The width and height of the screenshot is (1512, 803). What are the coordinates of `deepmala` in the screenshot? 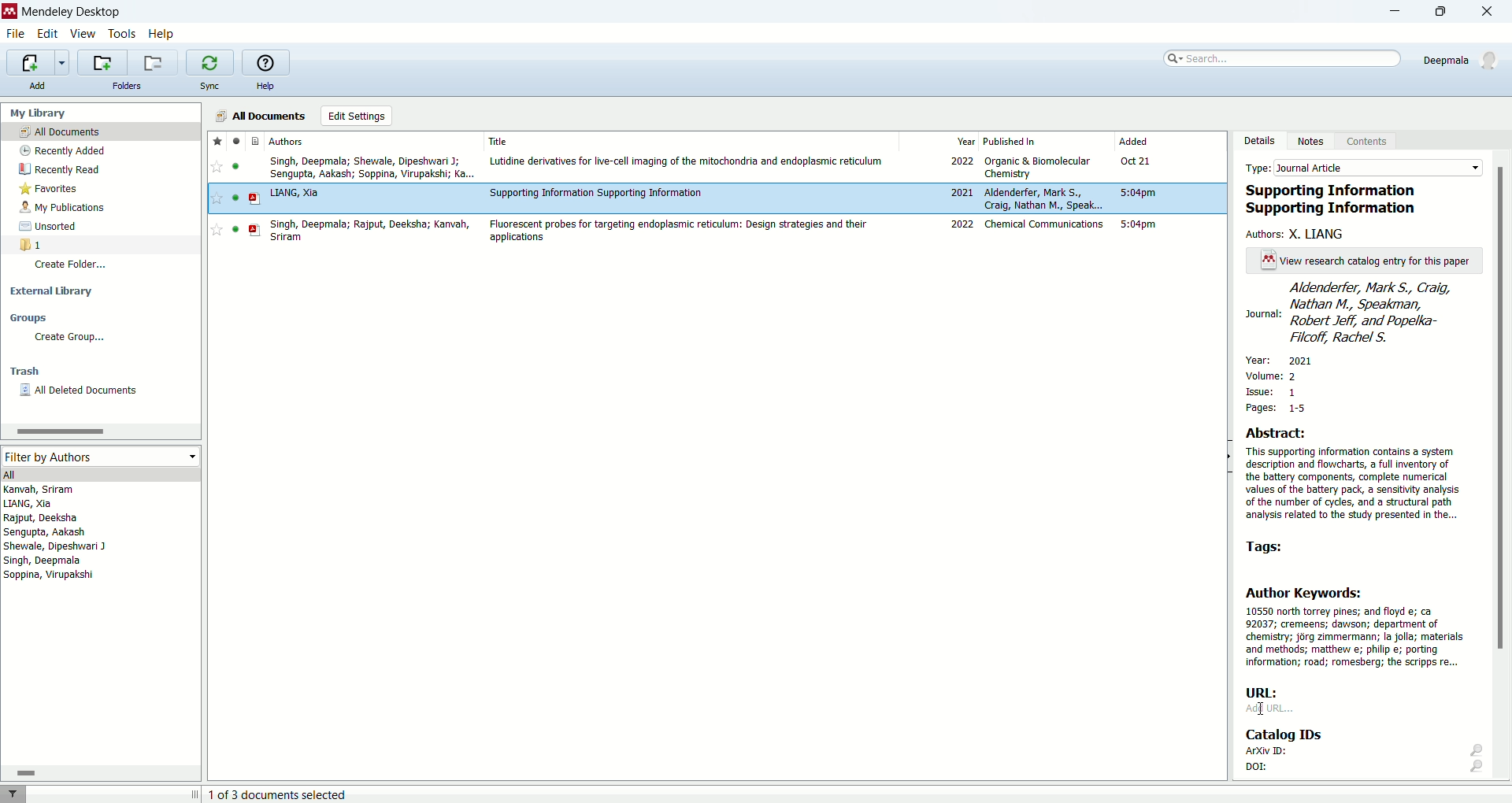 It's located at (1464, 63).